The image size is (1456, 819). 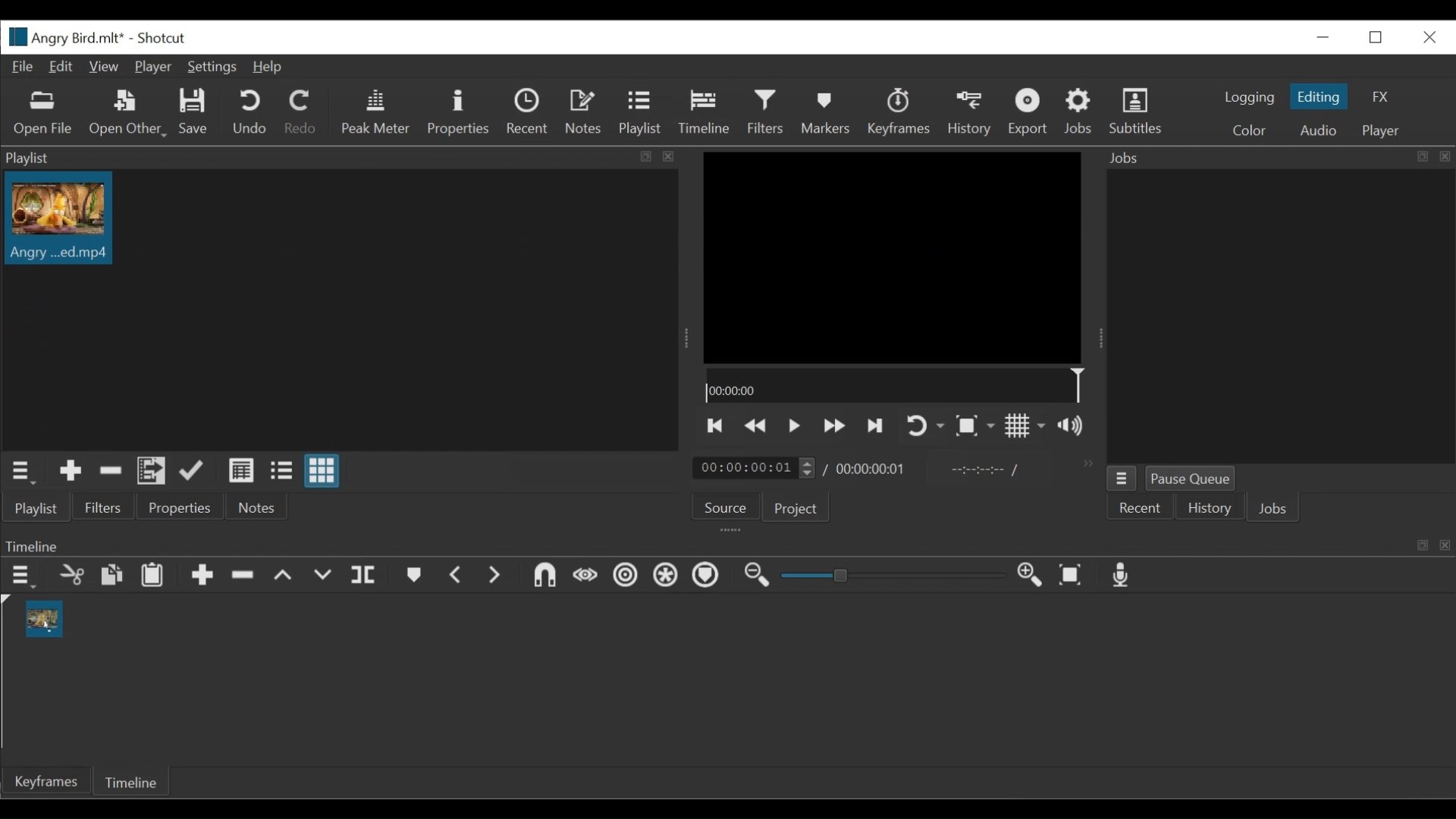 I want to click on Skip to the next point, so click(x=876, y=424).